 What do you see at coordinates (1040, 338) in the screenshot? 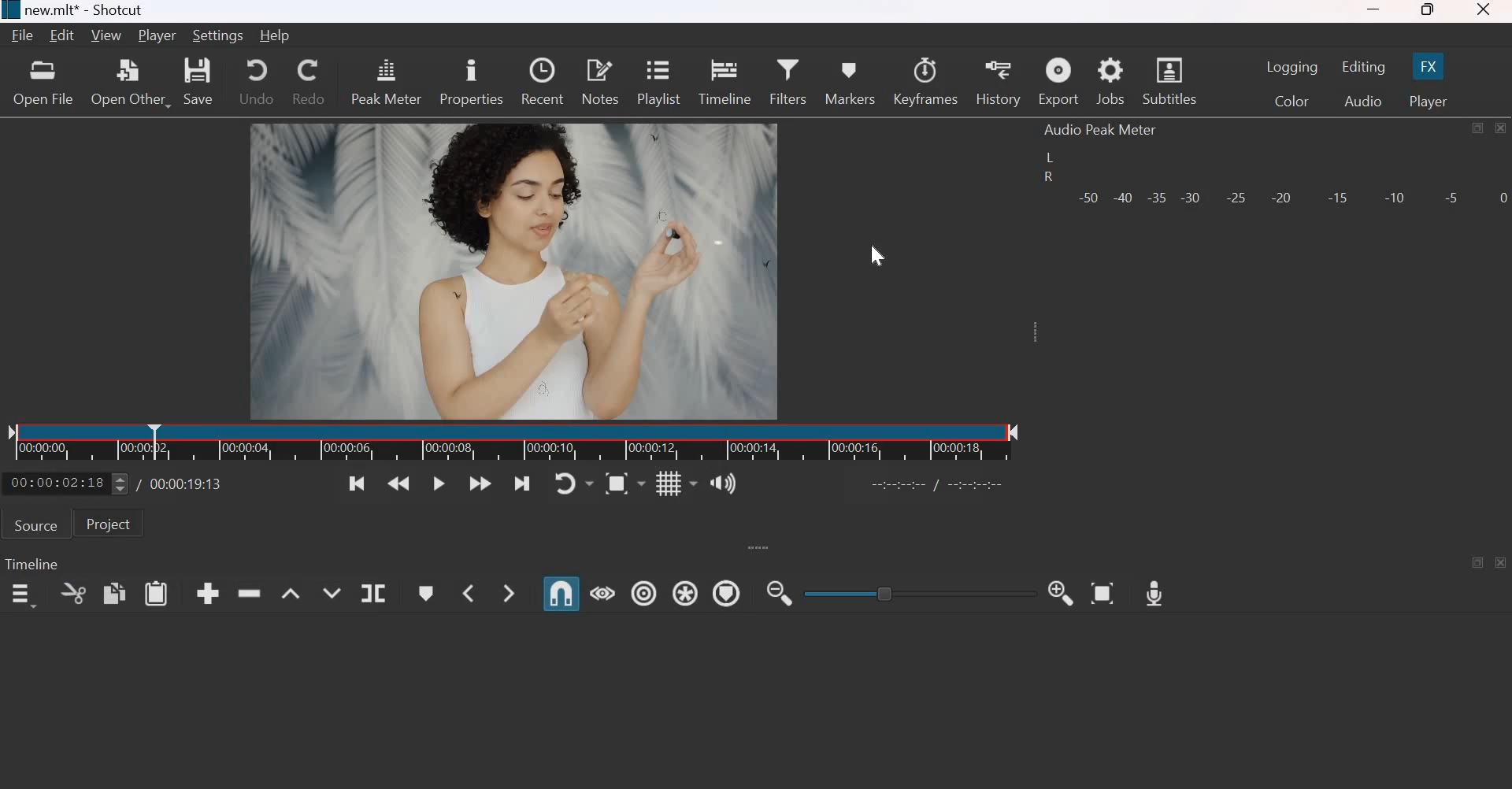
I see `expand` at bounding box center [1040, 338].